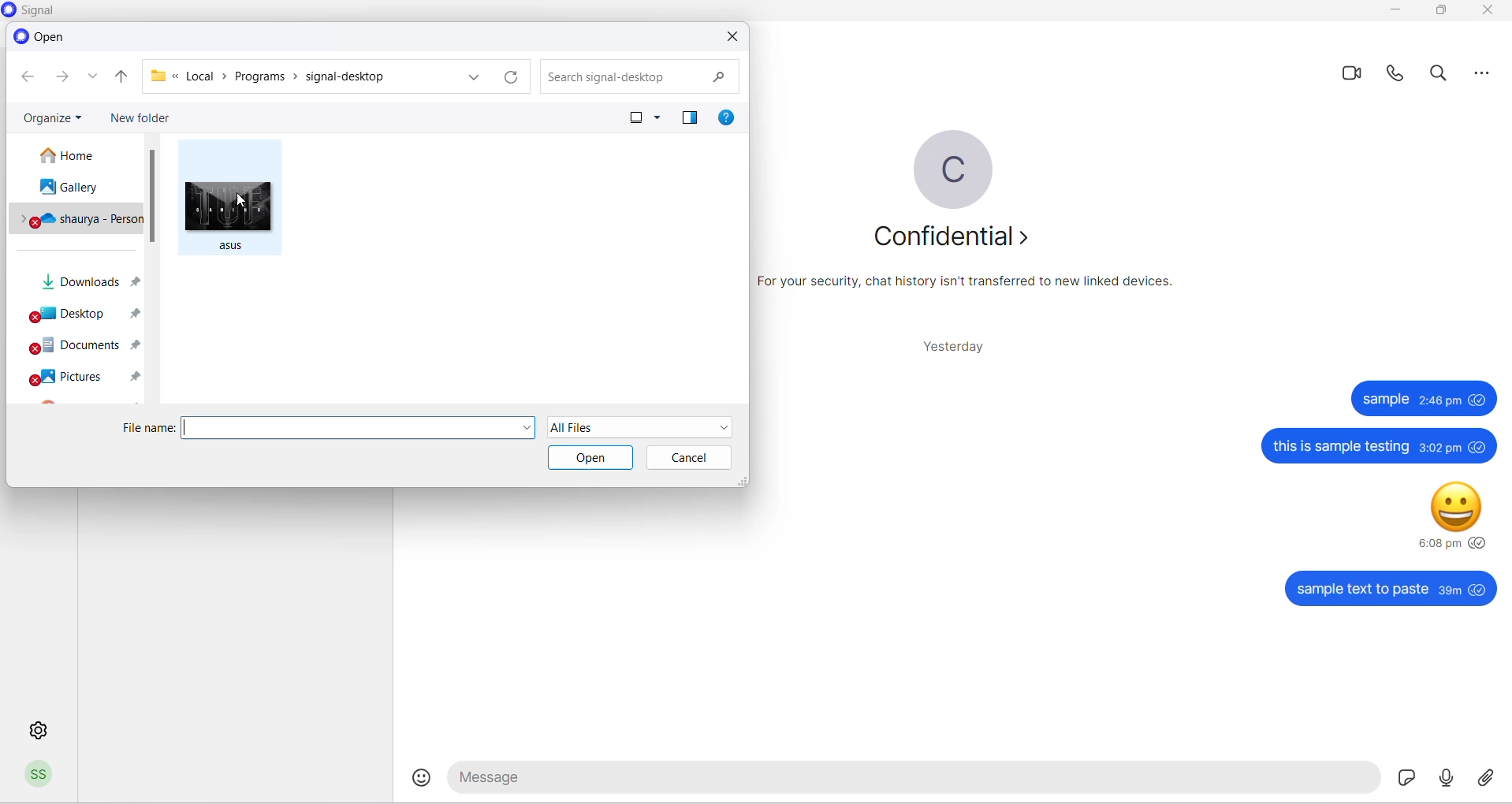  Describe the element at coordinates (1361, 590) in the screenshot. I see `sample text to paste` at that location.